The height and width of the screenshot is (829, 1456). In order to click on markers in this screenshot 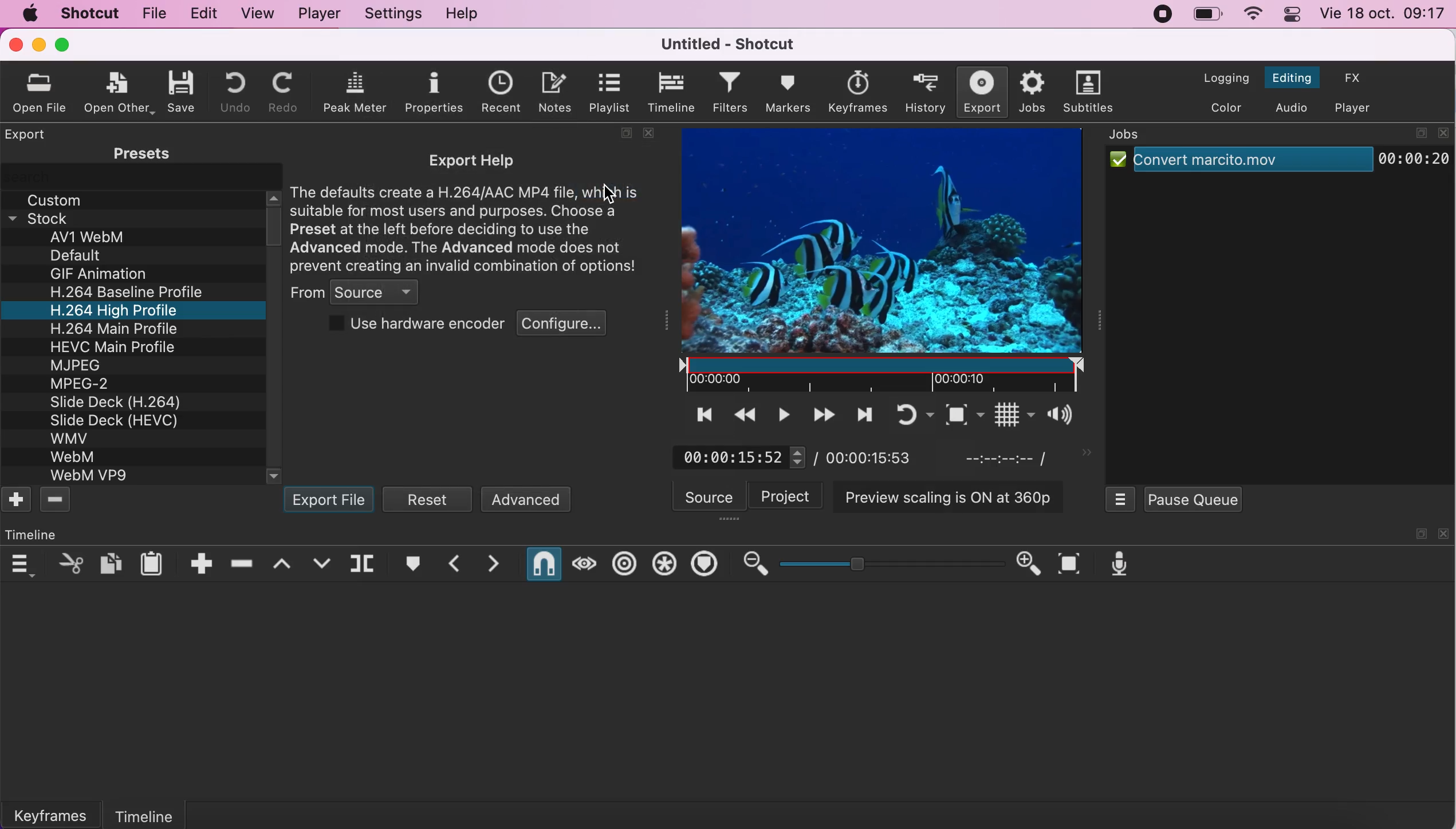, I will do `click(790, 93)`.